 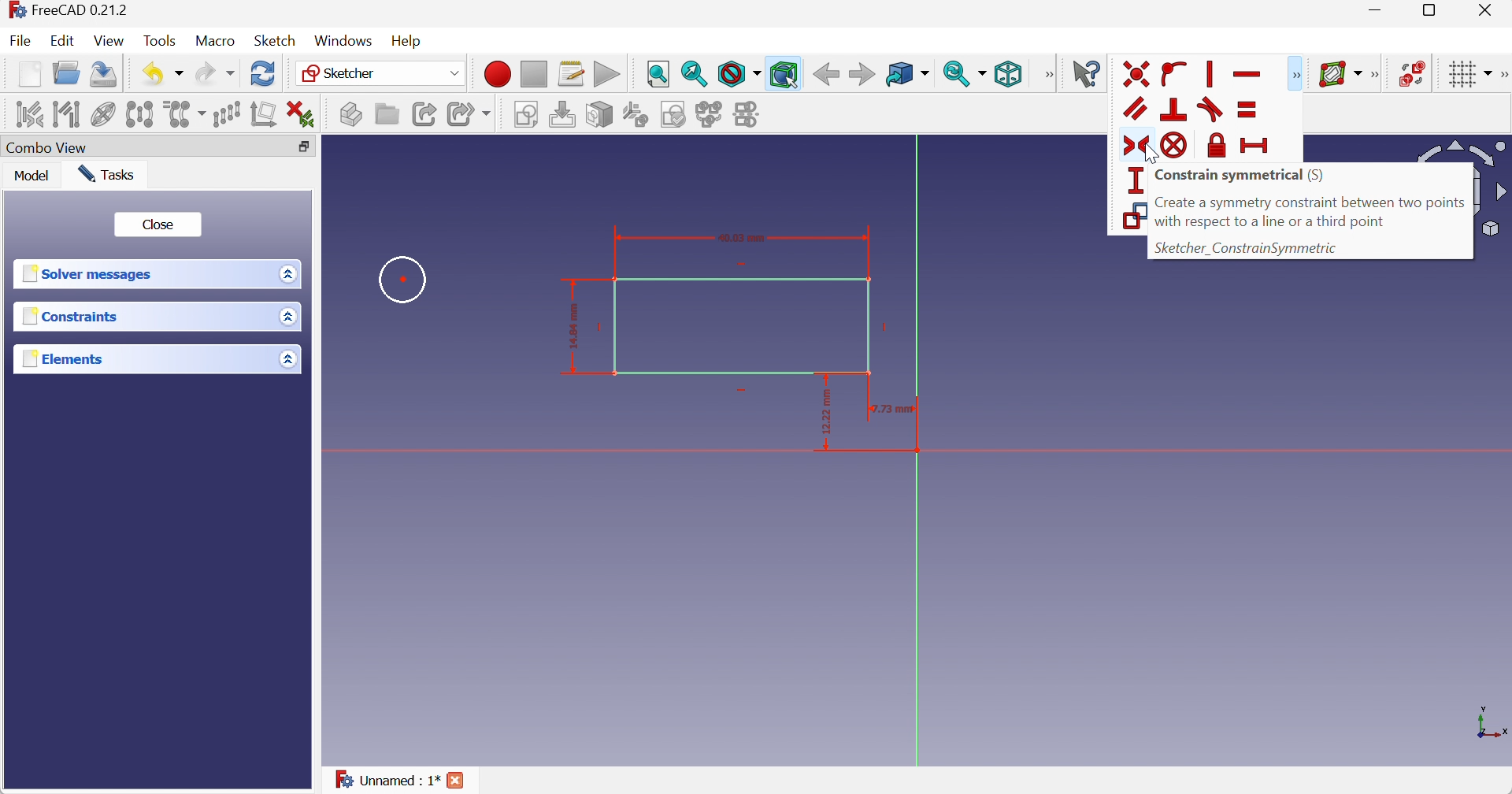 I want to click on Drop down, so click(x=287, y=361).